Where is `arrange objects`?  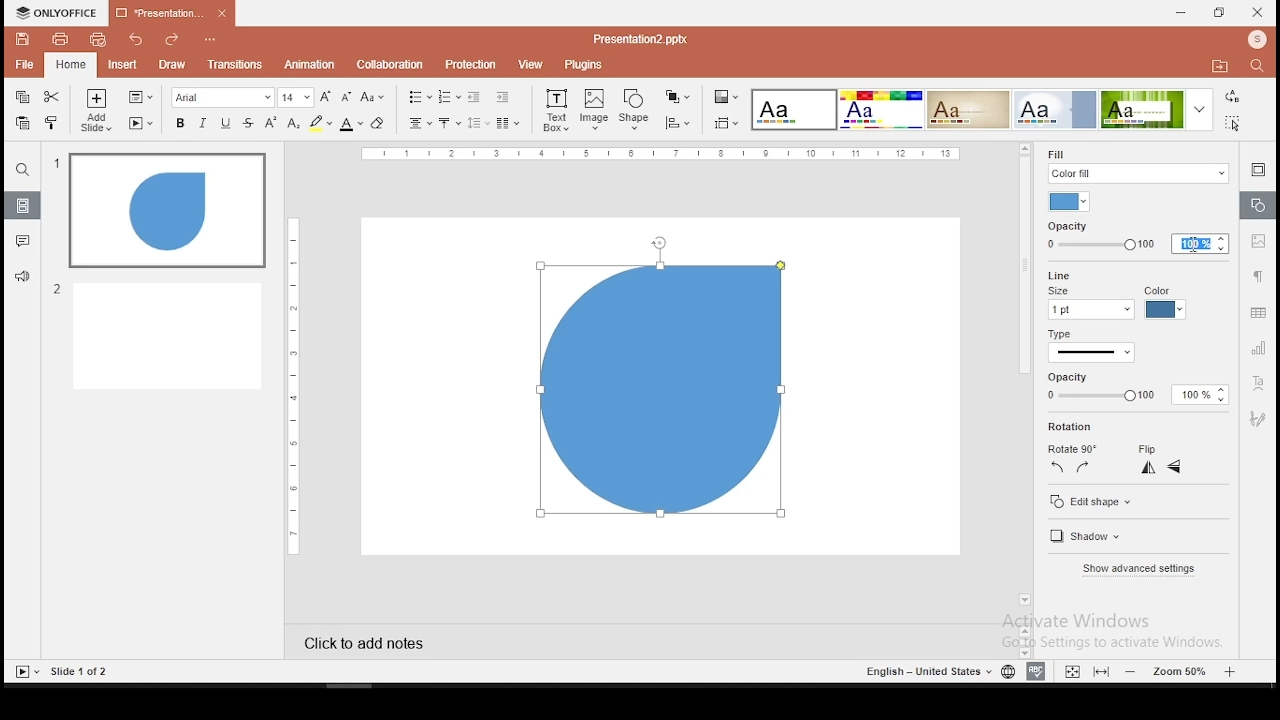 arrange objects is located at coordinates (675, 97).